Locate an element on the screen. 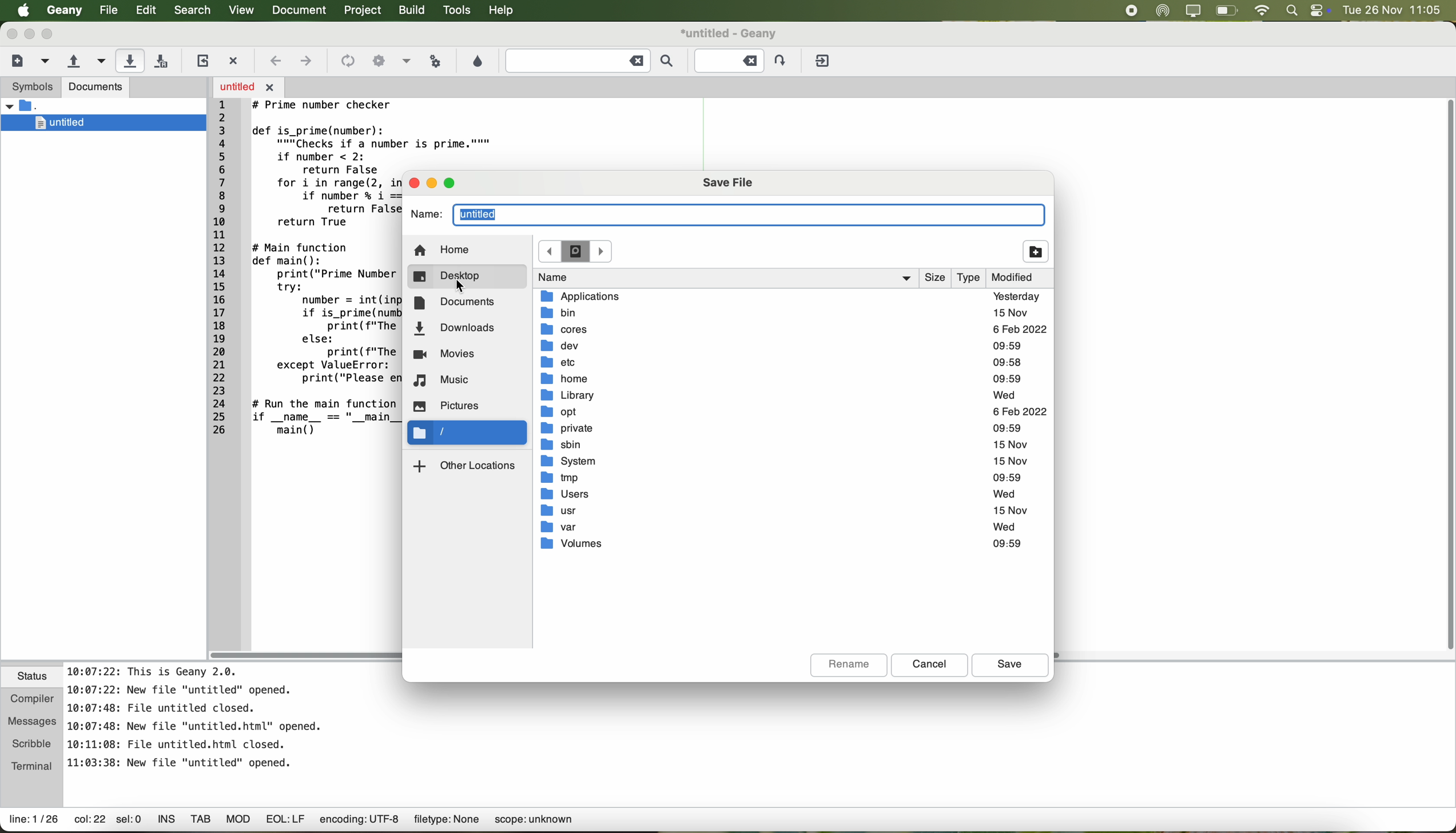  notes is located at coordinates (196, 716).